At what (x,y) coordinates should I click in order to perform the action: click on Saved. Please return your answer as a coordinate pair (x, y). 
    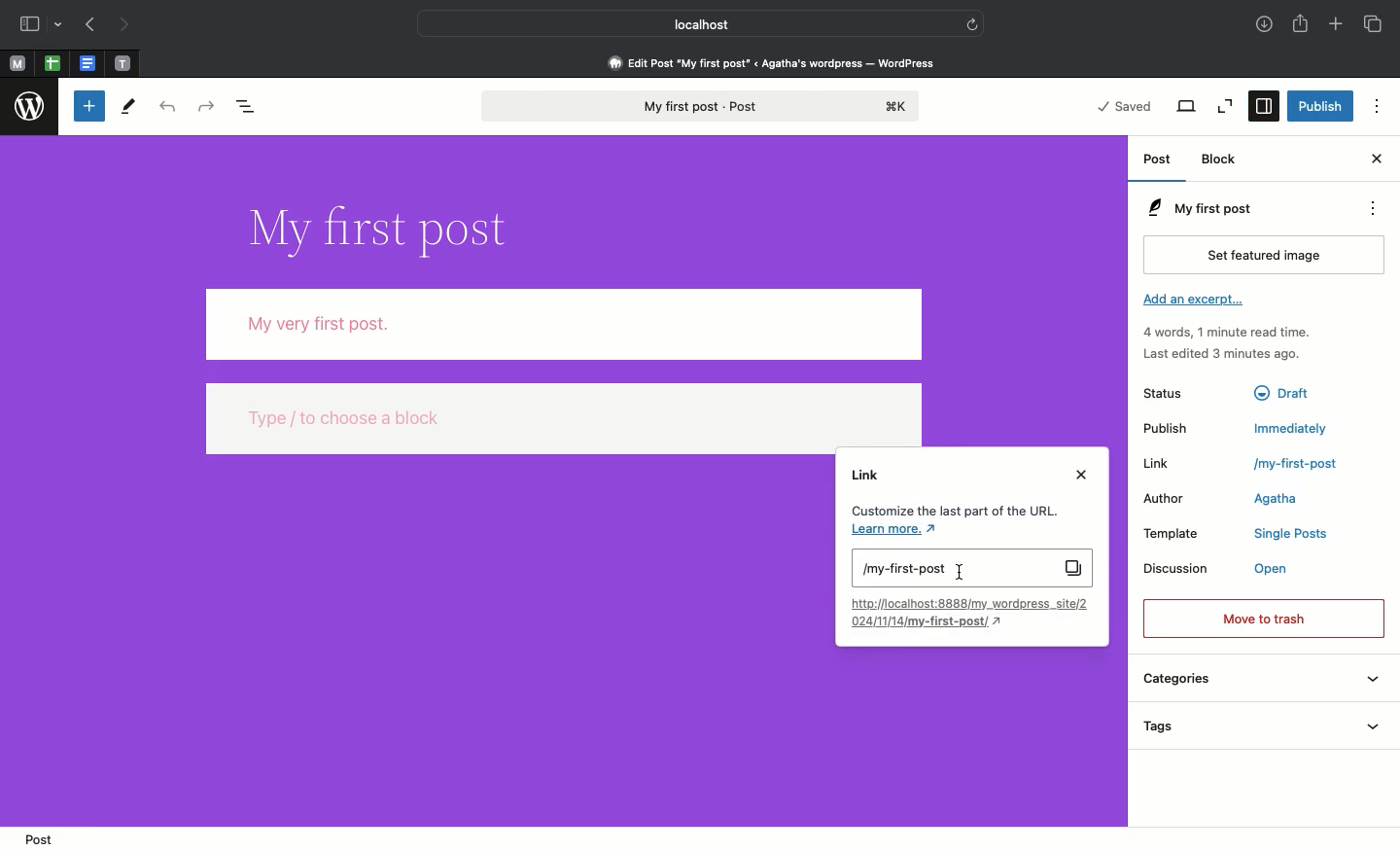
    Looking at the image, I should click on (1125, 106).